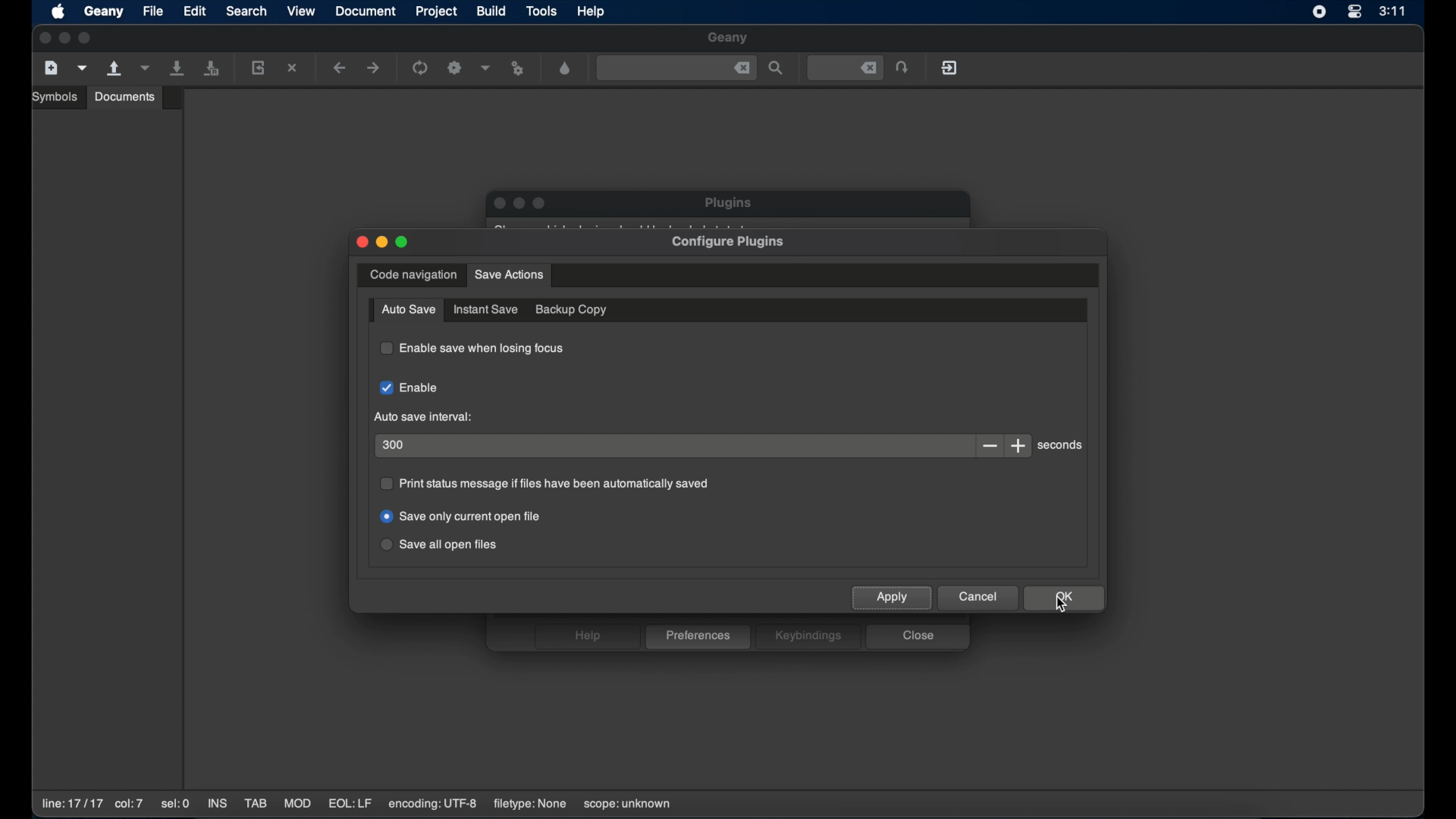 The image size is (1456, 819). What do you see at coordinates (125, 96) in the screenshot?
I see `documents` at bounding box center [125, 96].